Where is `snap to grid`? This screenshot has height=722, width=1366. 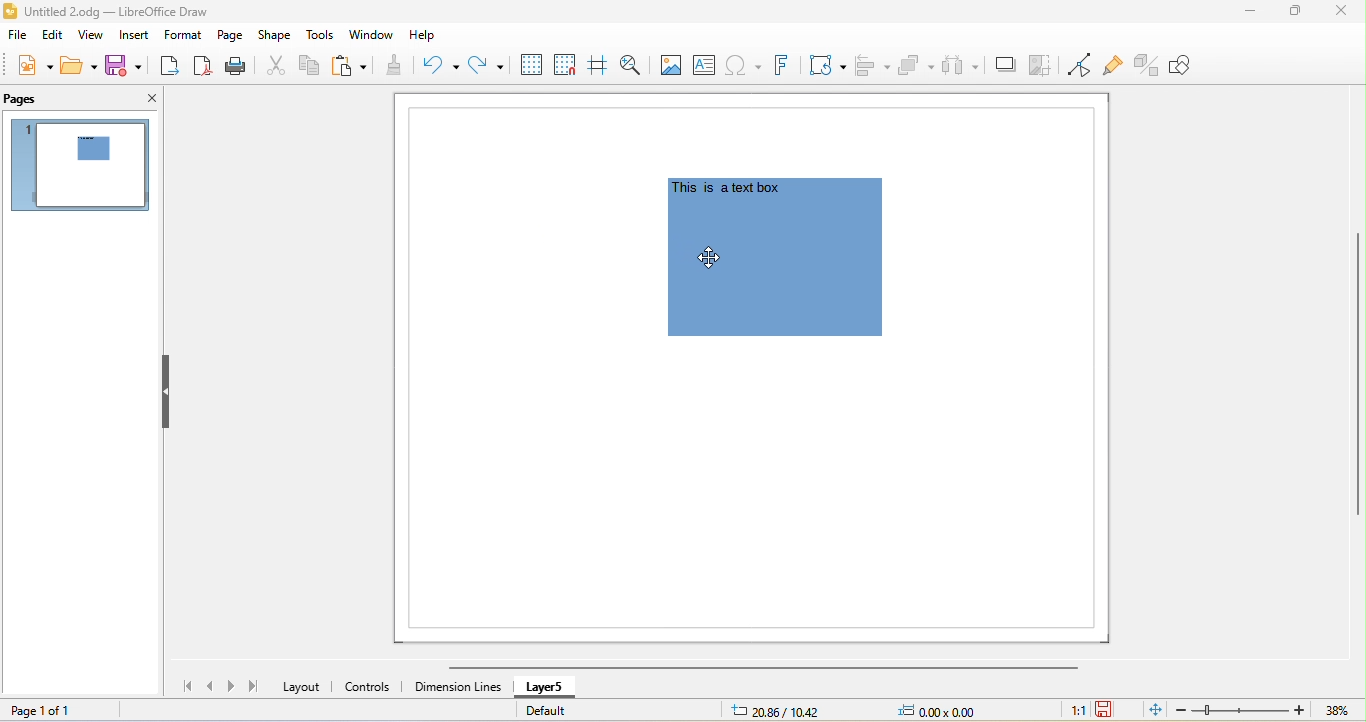 snap to grid is located at coordinates (564, 65).